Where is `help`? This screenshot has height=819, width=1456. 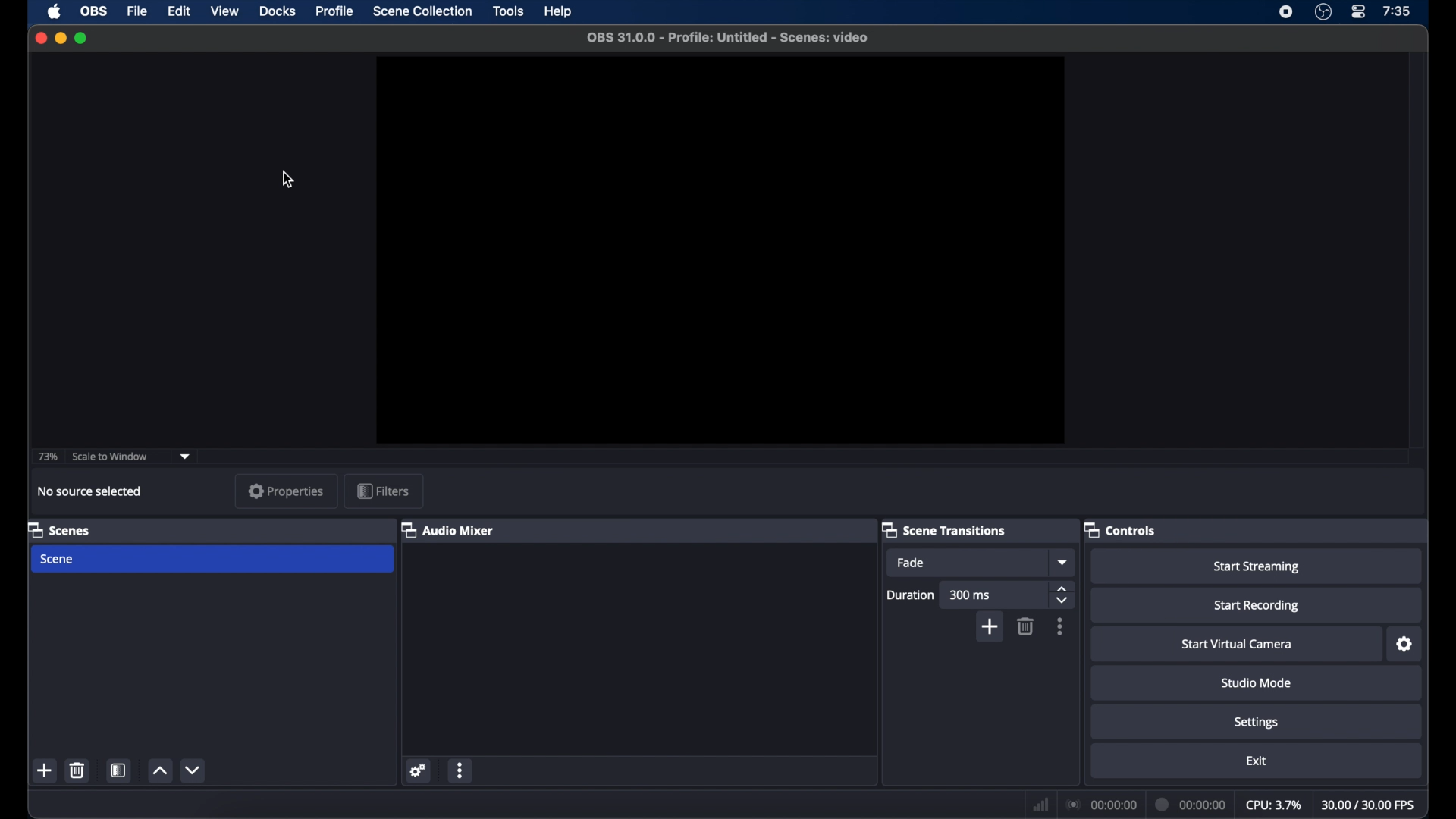
help is located at coordinates (560, 12).